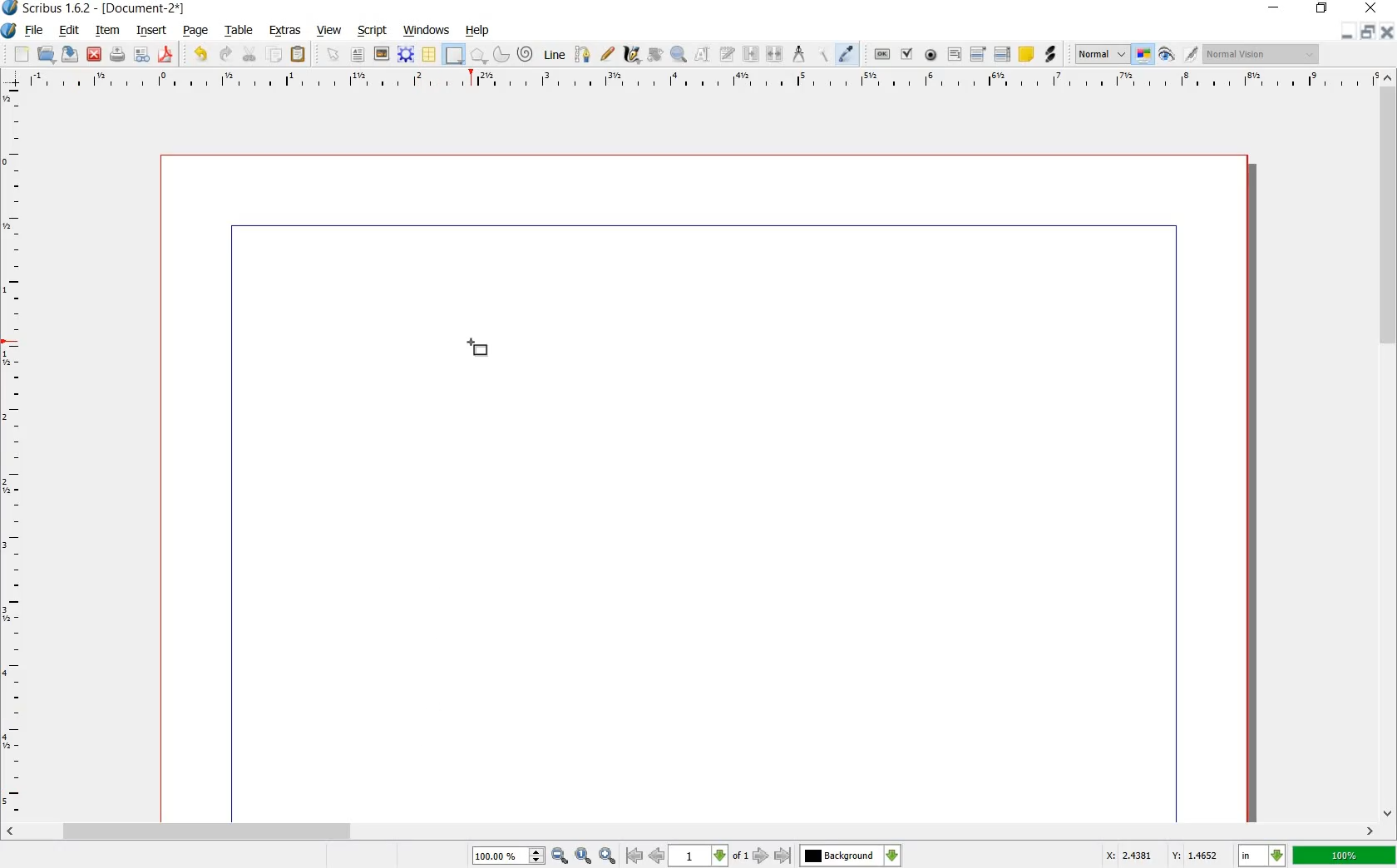 The height and width of the screenshot is (868, 1397). Describe the element at coordinates (370, 31) in the screenshot. I see `SCRIPT` at that location.